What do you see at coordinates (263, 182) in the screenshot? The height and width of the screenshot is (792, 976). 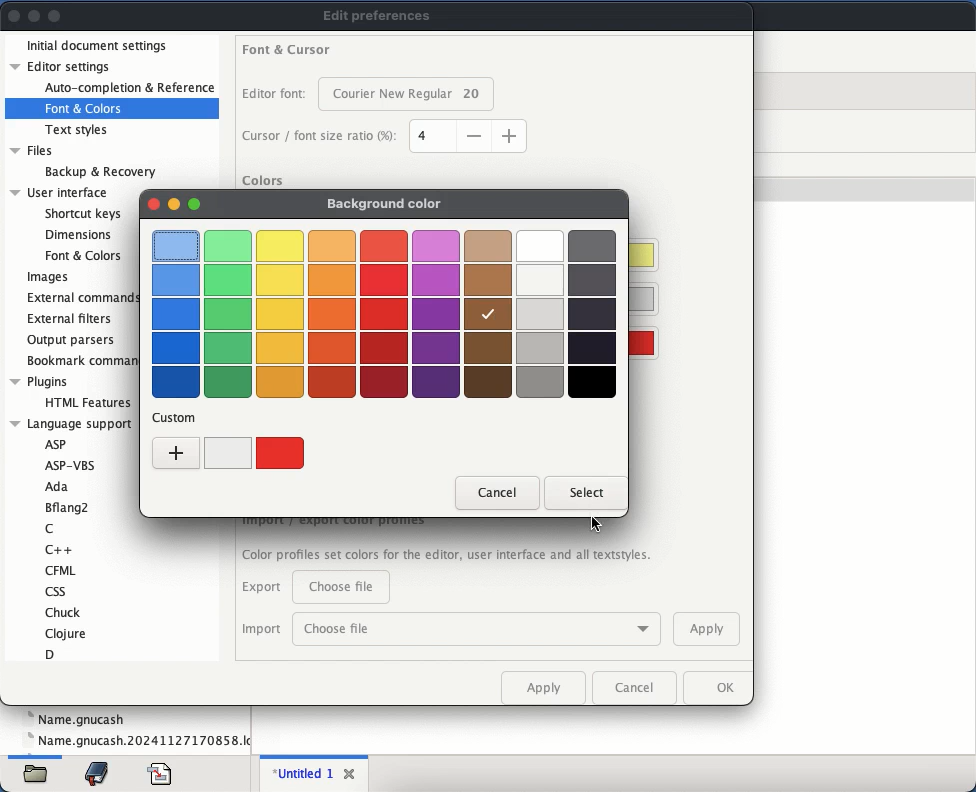 I see `colors` at bounding box center [263, 182].